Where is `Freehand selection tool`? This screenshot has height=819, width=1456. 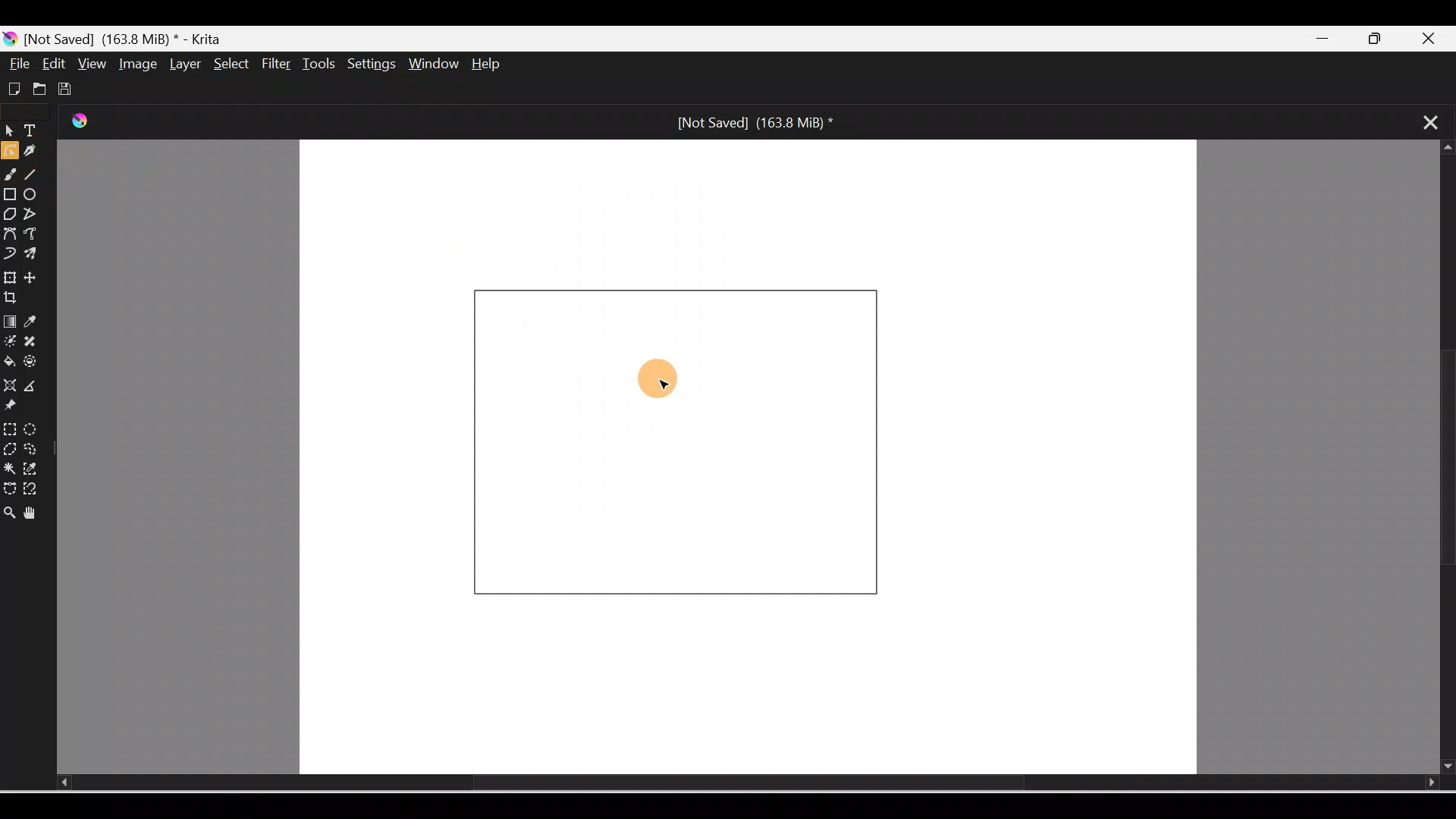
Freehand selection tool is located at coordinates (35, 449).